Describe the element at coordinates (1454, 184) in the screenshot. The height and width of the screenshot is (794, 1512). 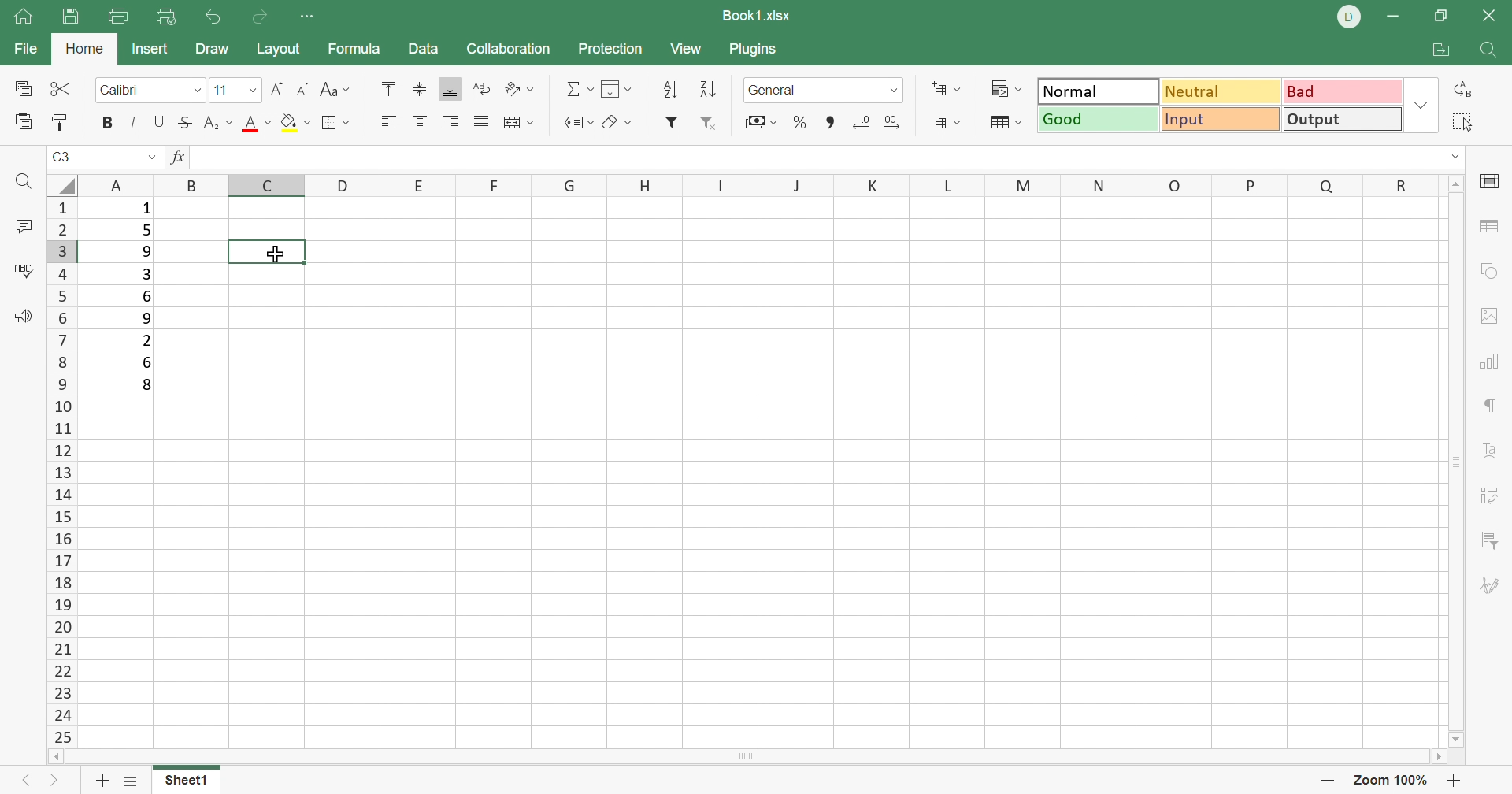
I see `Scroll Up` at that location.